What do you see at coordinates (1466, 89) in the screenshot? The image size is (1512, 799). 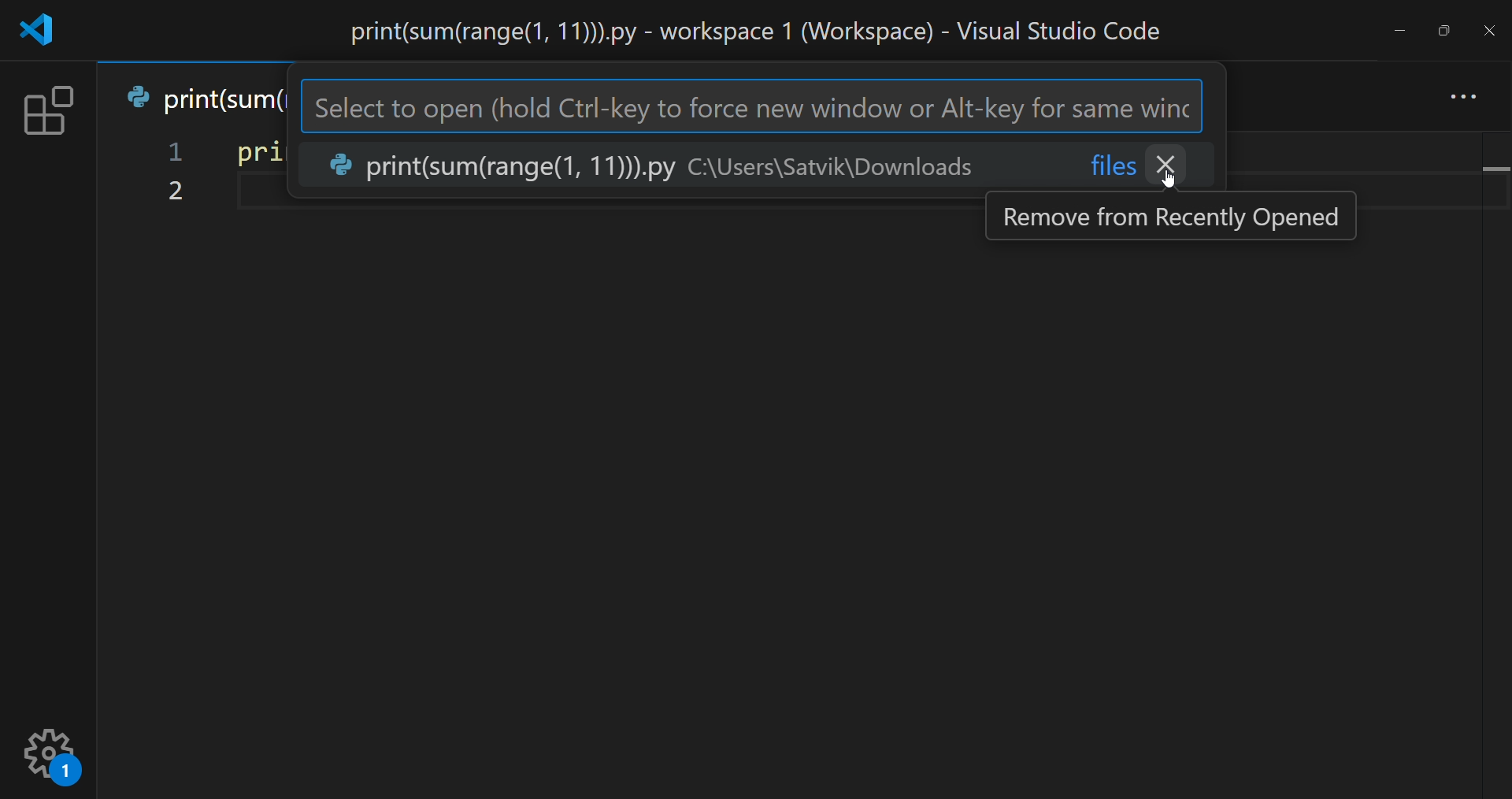 I see `more` at bounding box center [1466, 89].